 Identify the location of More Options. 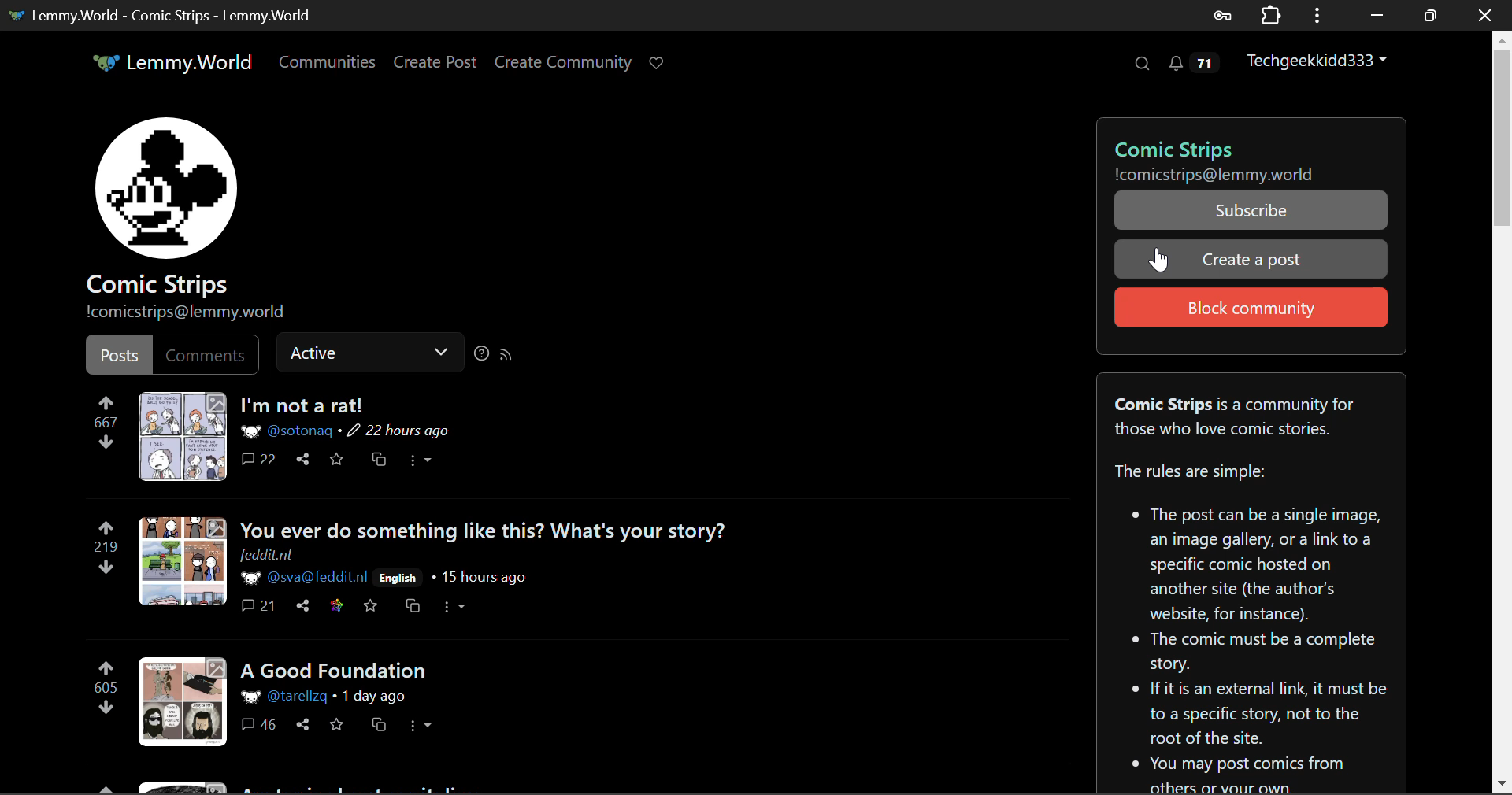
(458, 605).